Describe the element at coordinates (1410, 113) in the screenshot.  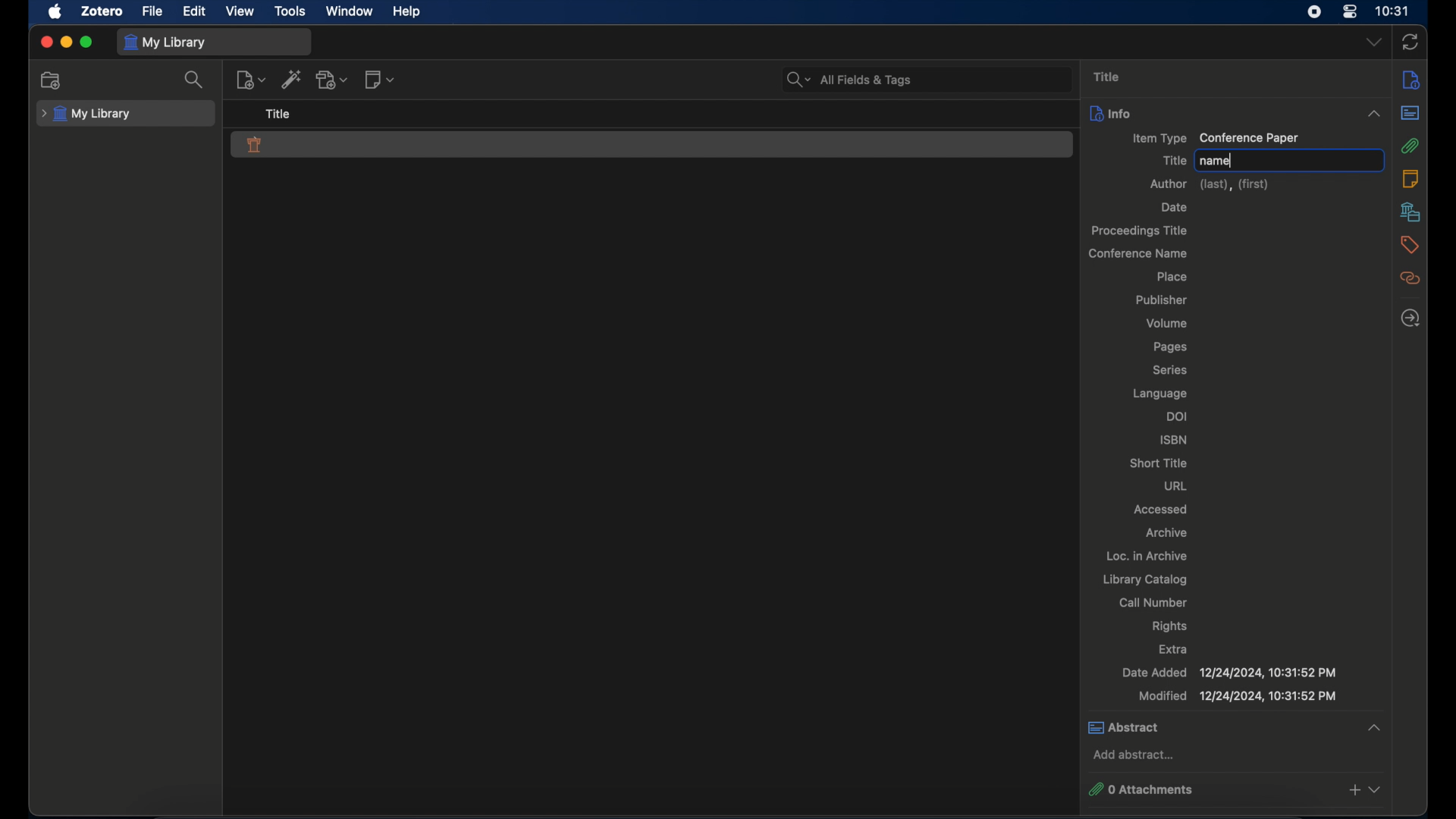
I see `abstract` at that location.